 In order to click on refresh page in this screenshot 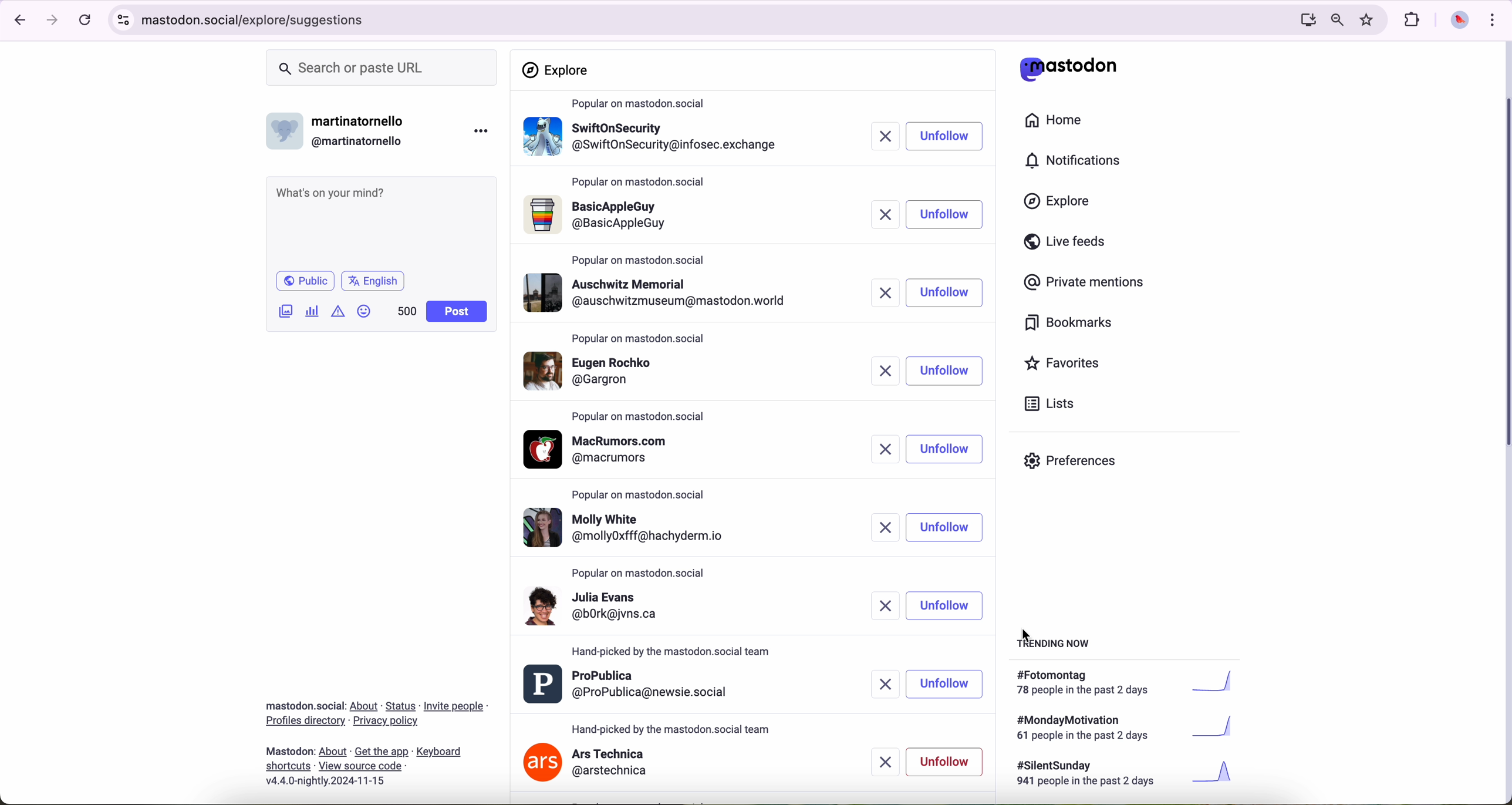, I will do `click(86, 21)`.